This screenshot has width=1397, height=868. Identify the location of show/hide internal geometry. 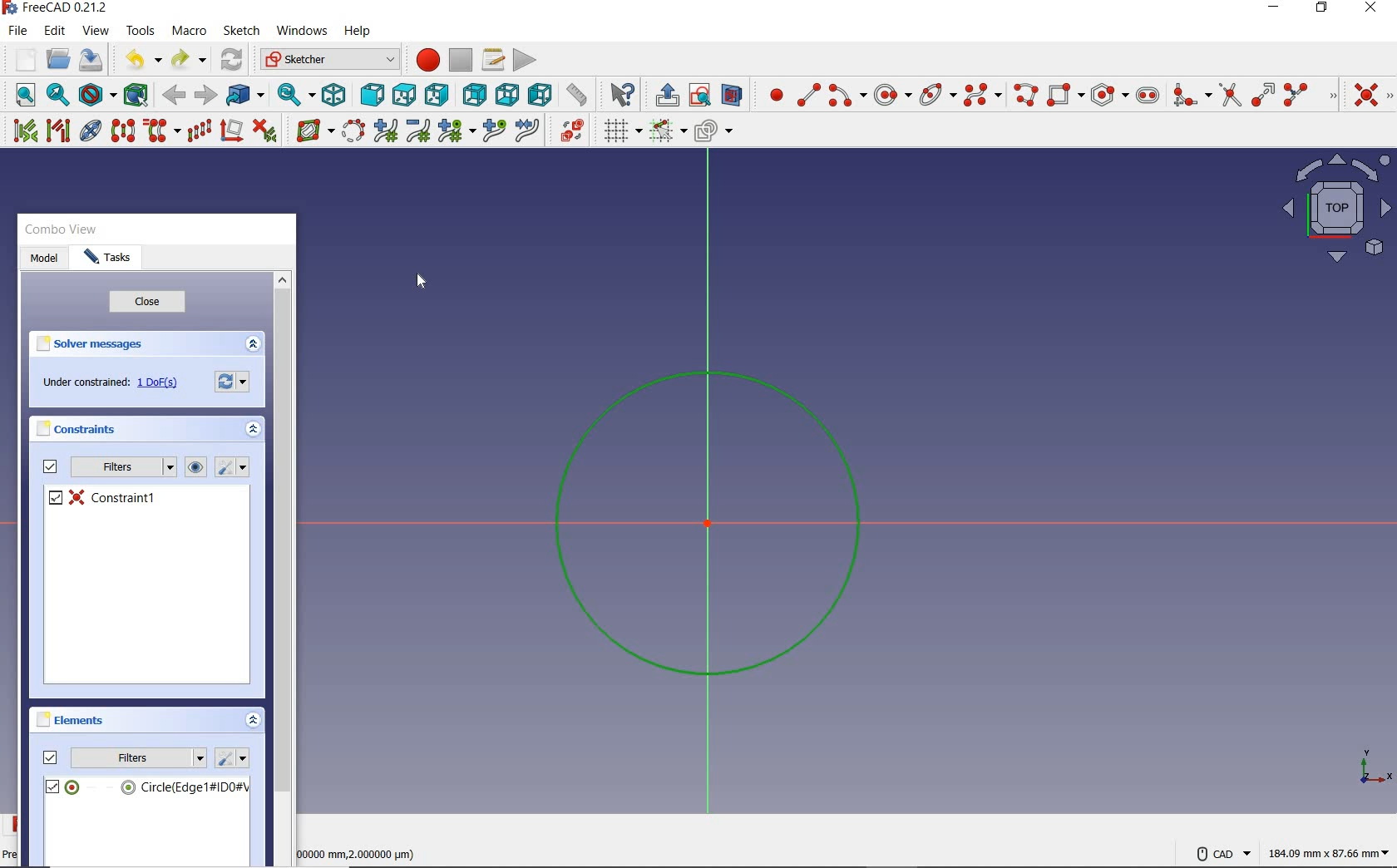
(90, 131).